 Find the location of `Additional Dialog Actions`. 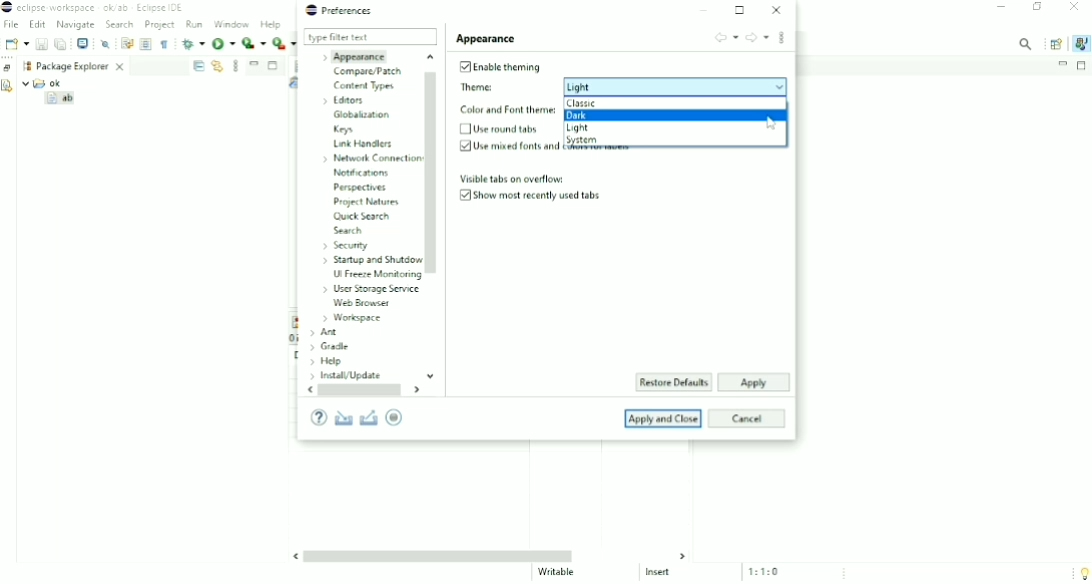

Additional Dialog Actions is located at coordinates (782, 40).